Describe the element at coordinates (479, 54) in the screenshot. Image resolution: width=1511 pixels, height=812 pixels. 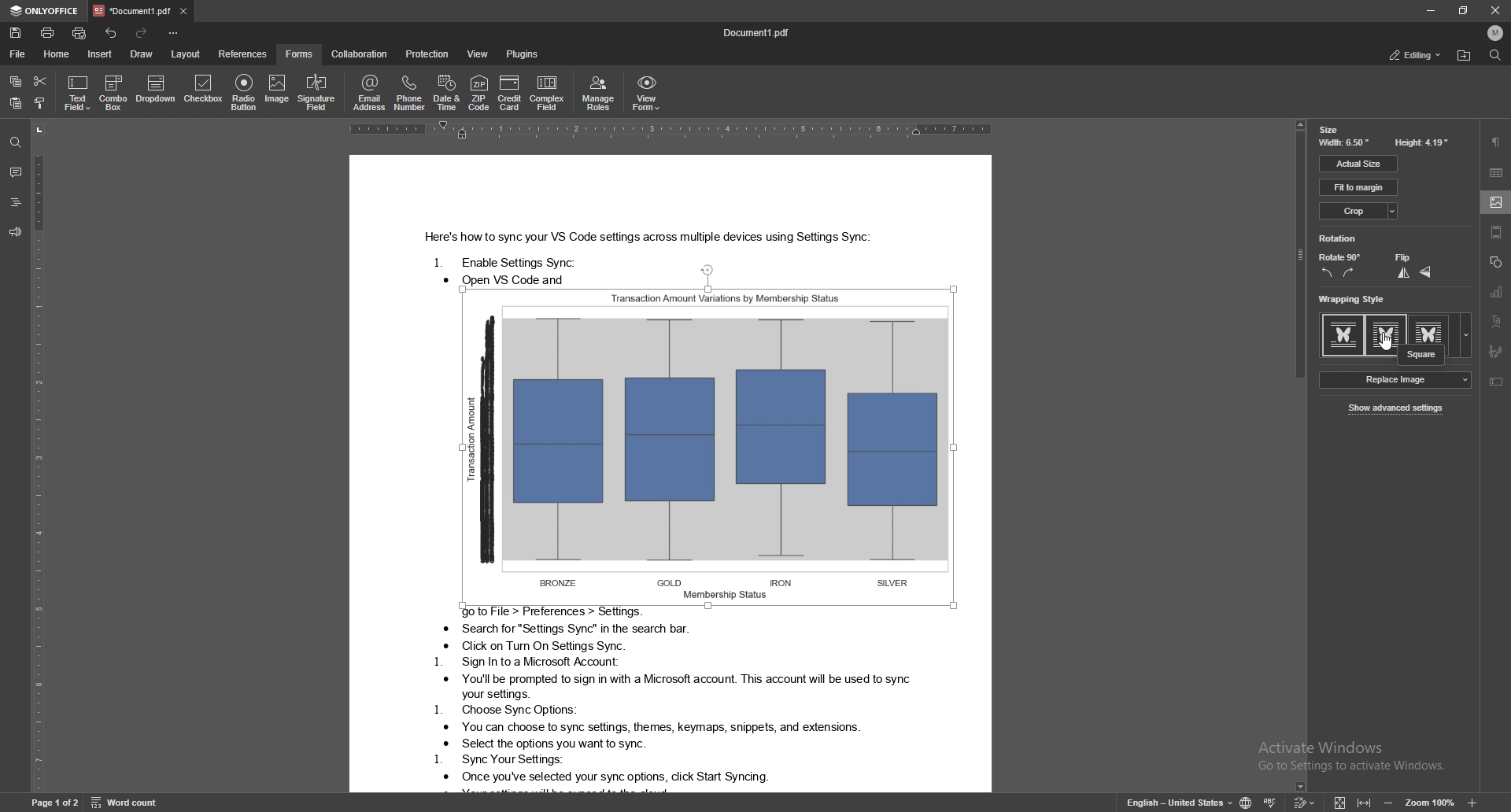
I see `view` at that location.